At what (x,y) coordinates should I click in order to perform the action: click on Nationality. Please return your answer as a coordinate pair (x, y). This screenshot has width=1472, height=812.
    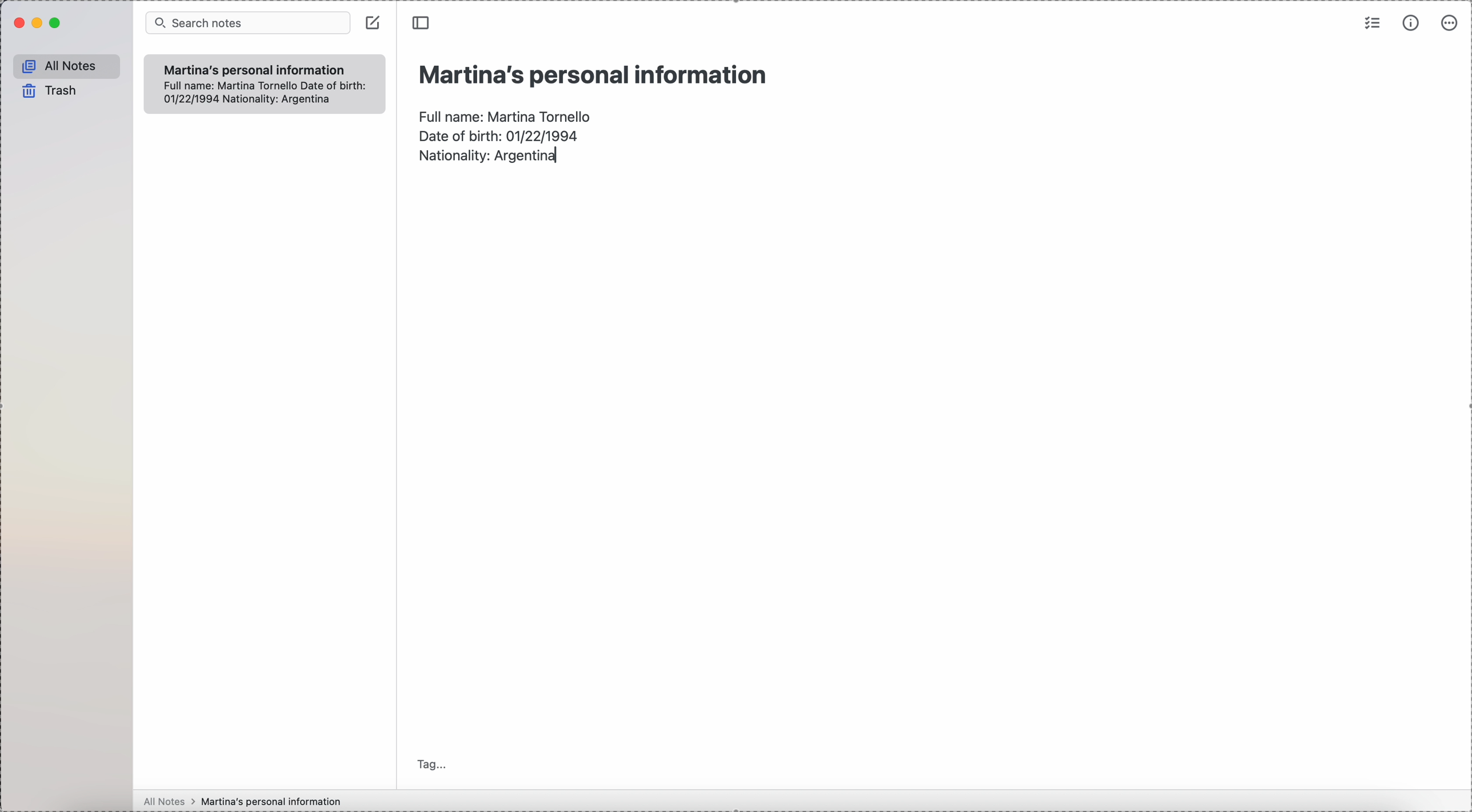
    Looking at the image, I should click on (490, 157).